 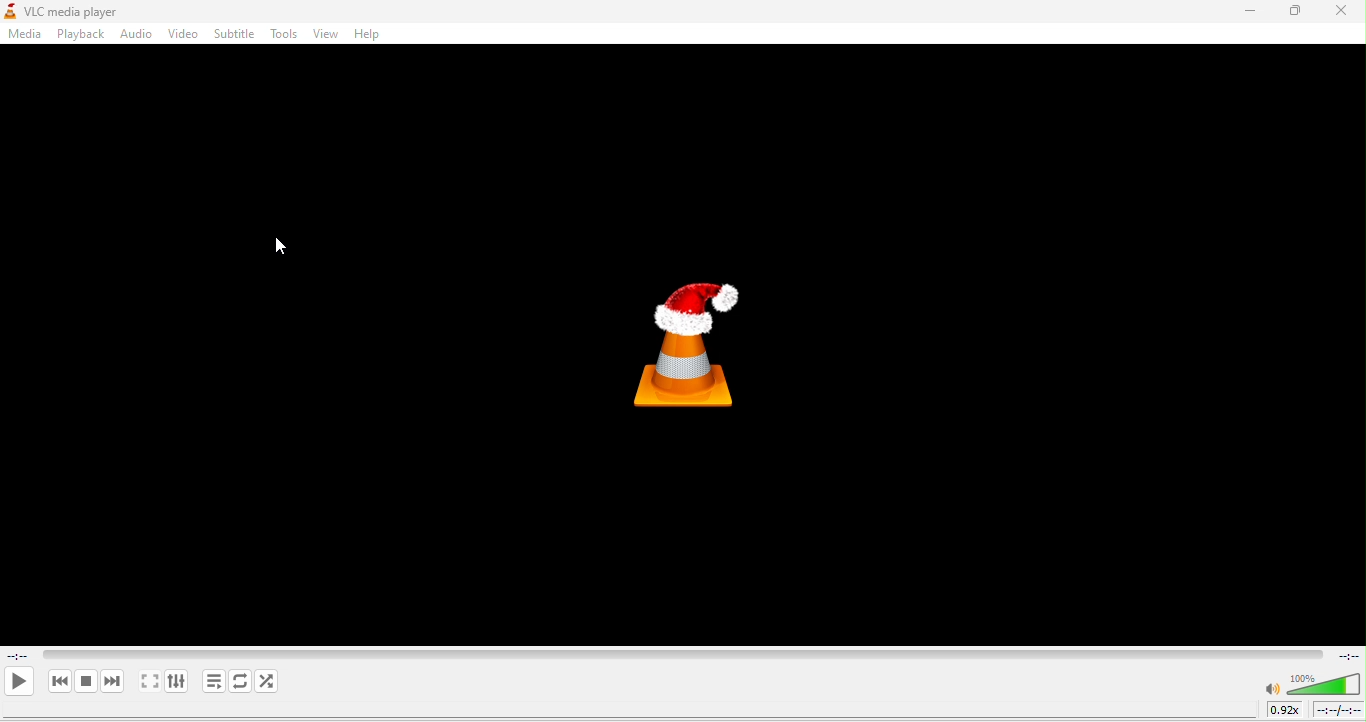 I want to click on subtitle, so click(x=235, y=32).